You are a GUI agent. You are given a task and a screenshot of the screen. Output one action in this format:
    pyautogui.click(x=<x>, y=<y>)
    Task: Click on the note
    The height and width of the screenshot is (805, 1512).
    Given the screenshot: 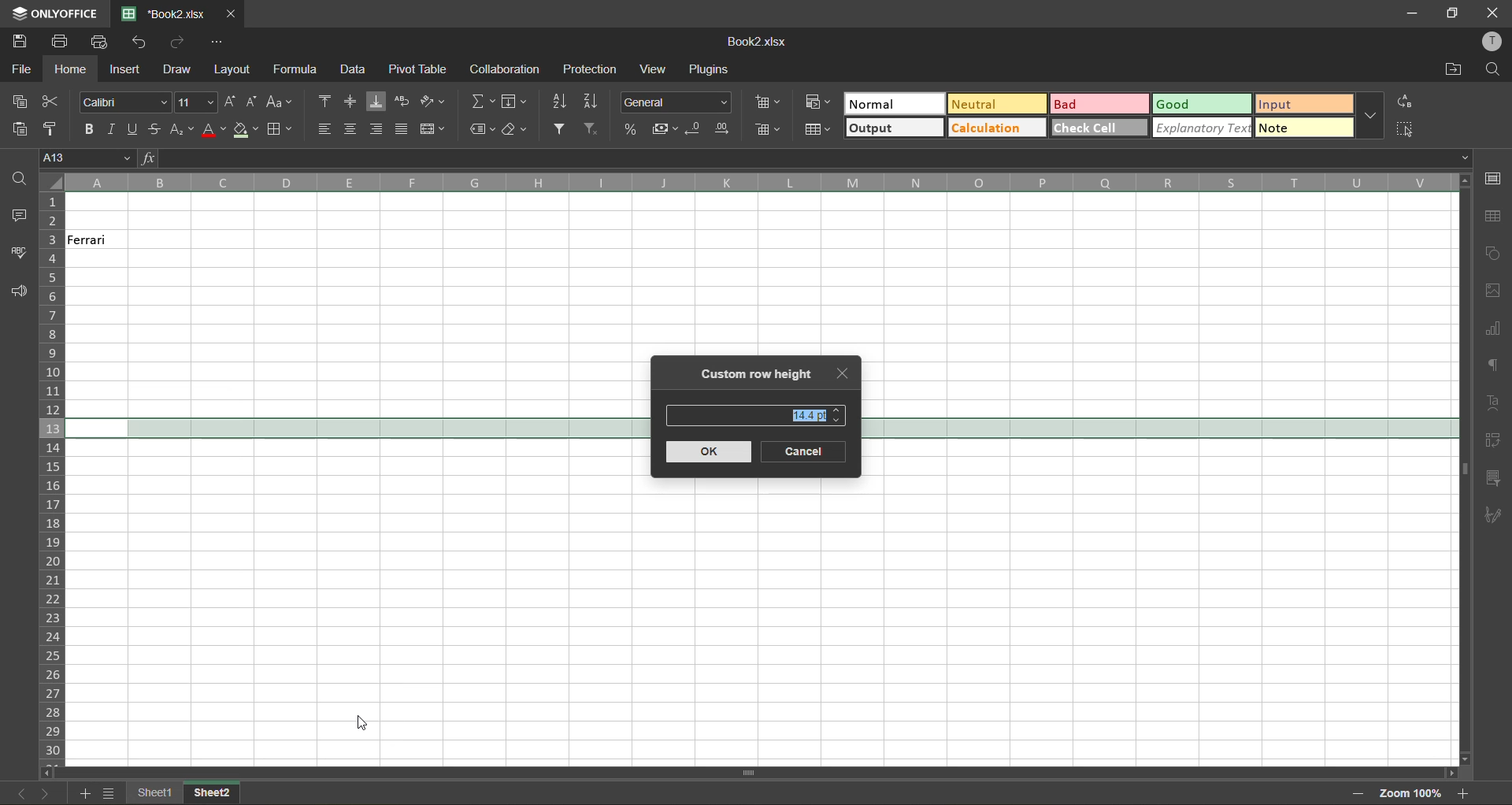 What is the action you would take?
    pyautogui.click(x=1302, y=126)
    